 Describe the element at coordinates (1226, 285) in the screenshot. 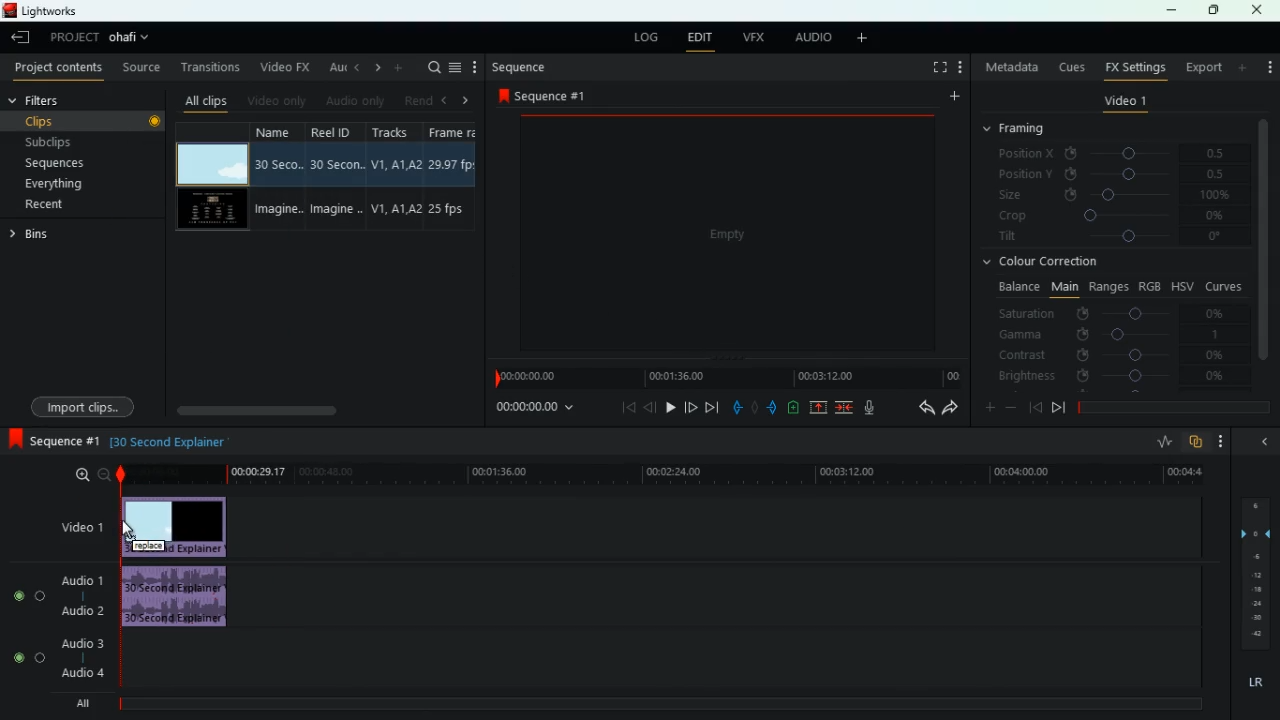

I see `curves` at that location.